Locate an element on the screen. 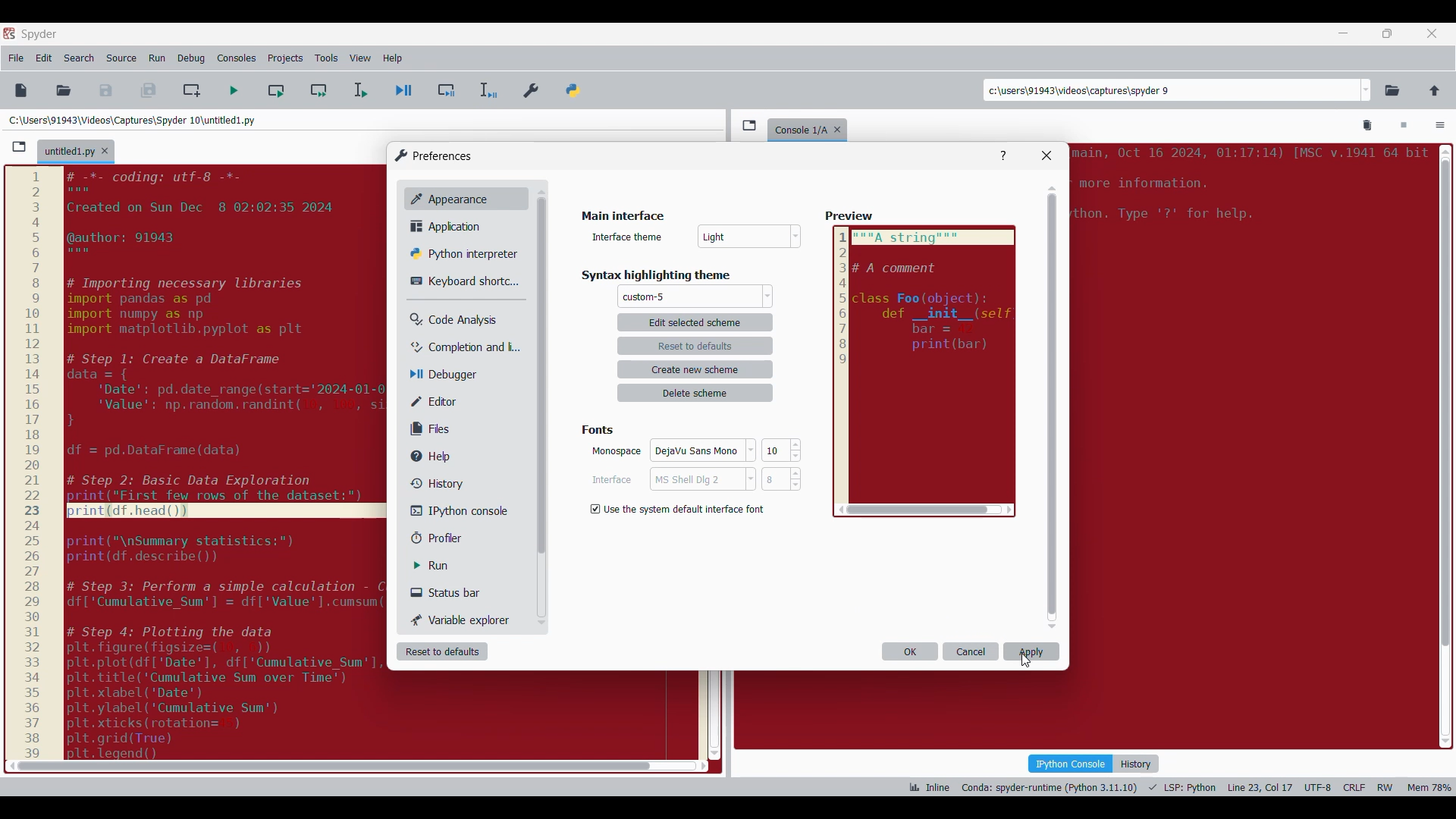  Apply is located at coordinates (1031, 651).